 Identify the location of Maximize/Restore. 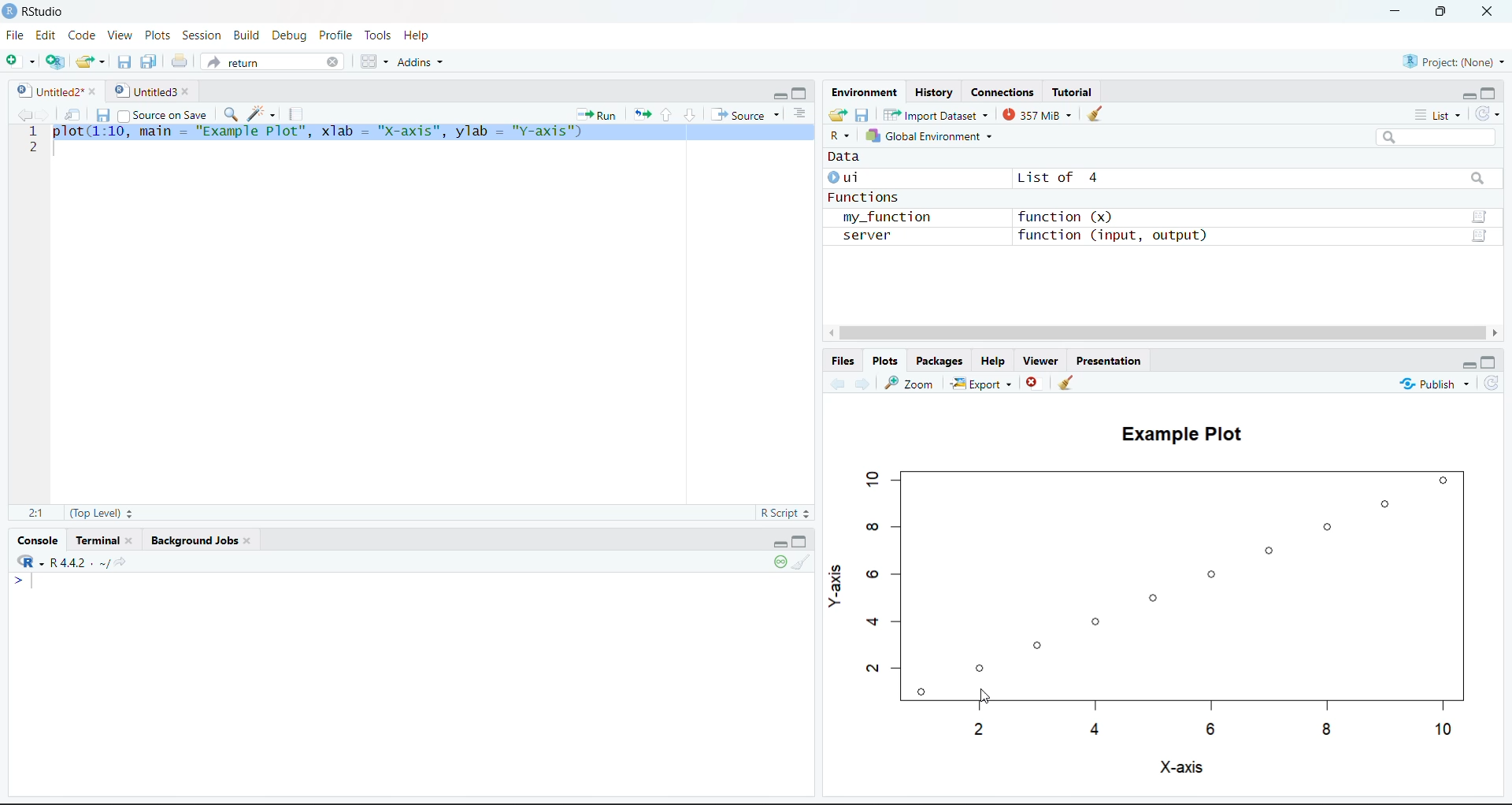
(1491, 362).